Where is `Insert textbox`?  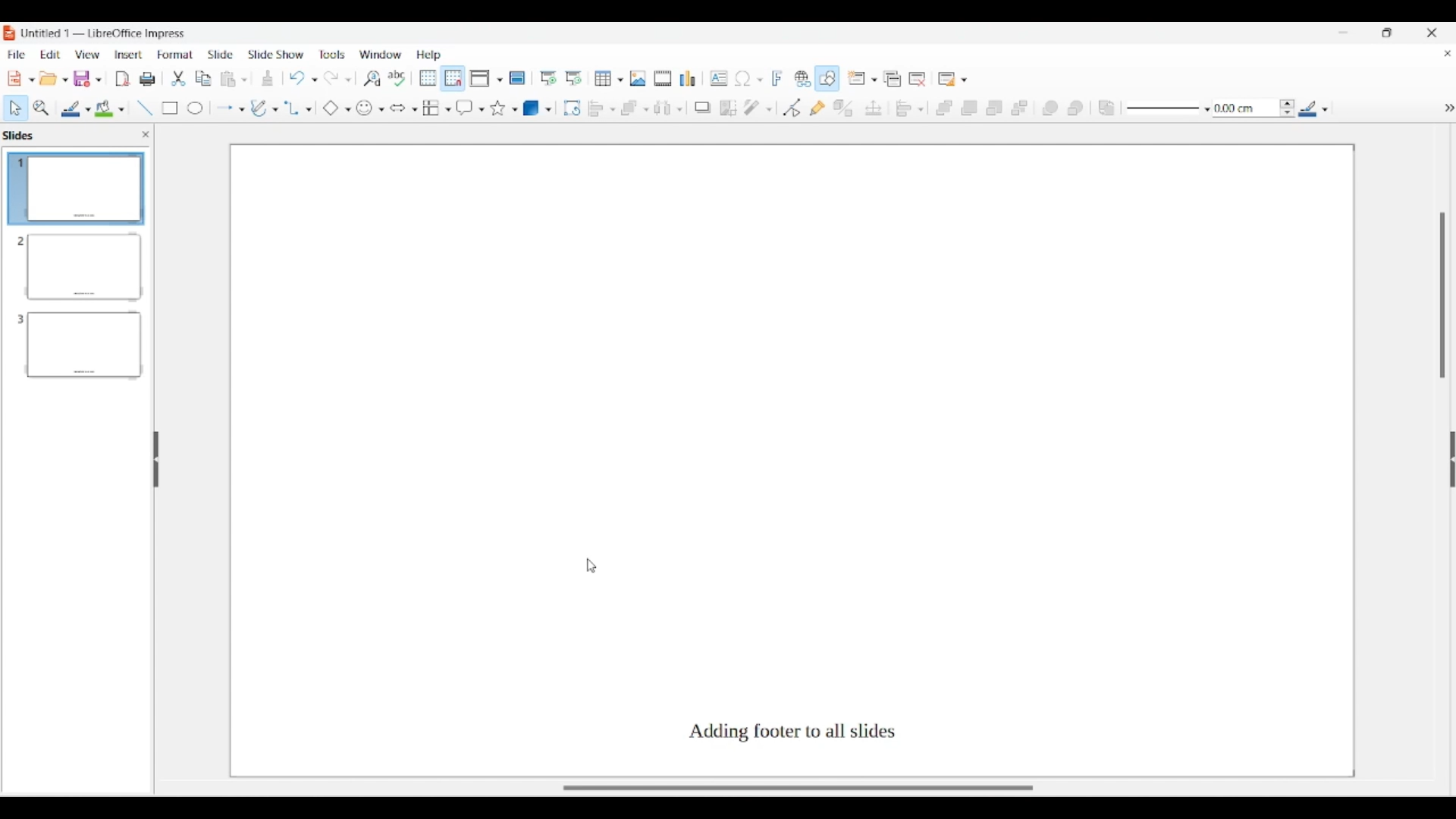
Insert textbox is located at coordinates (719, 78).